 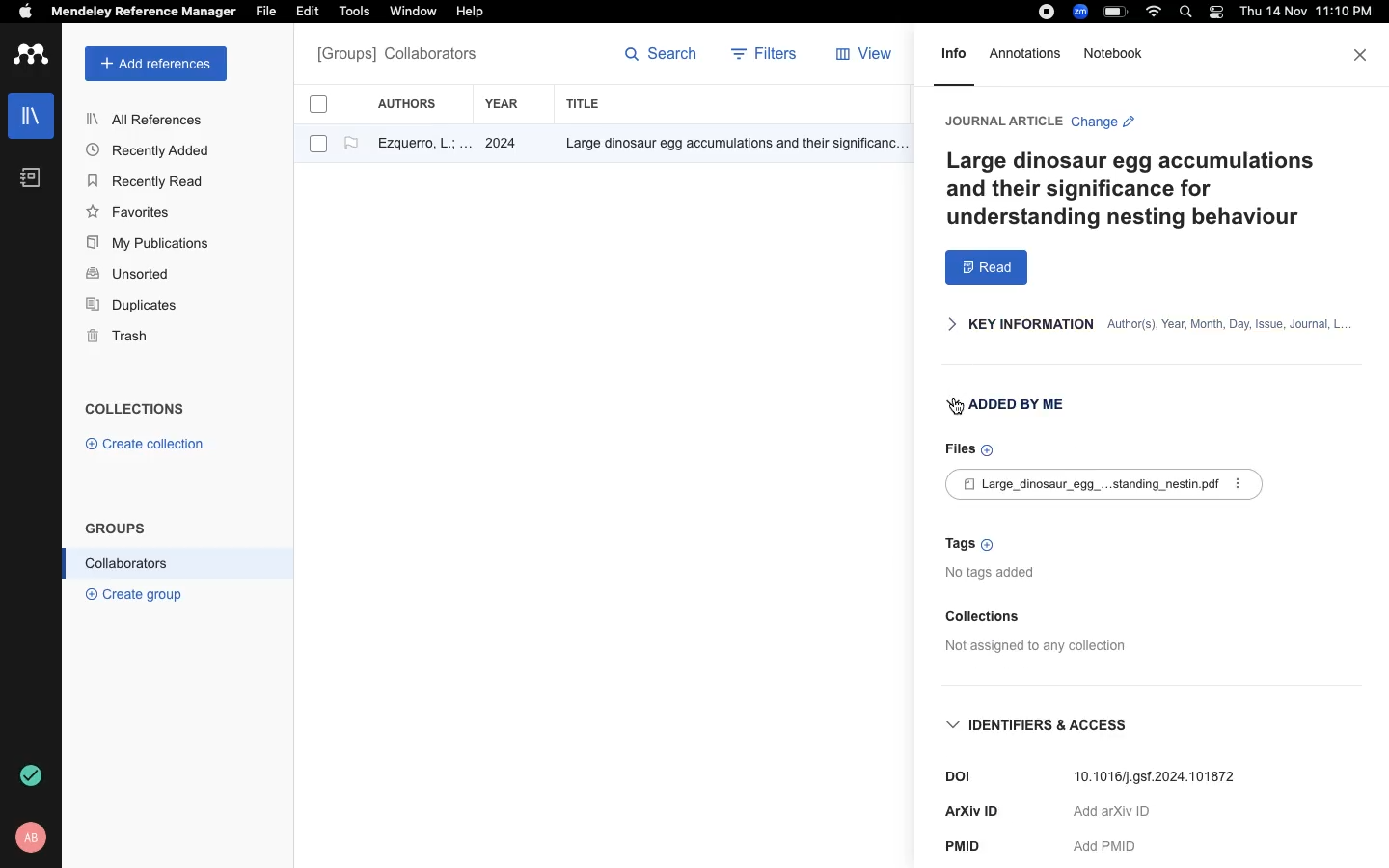 I want to click on wifi, so click(x=1157, y=12).